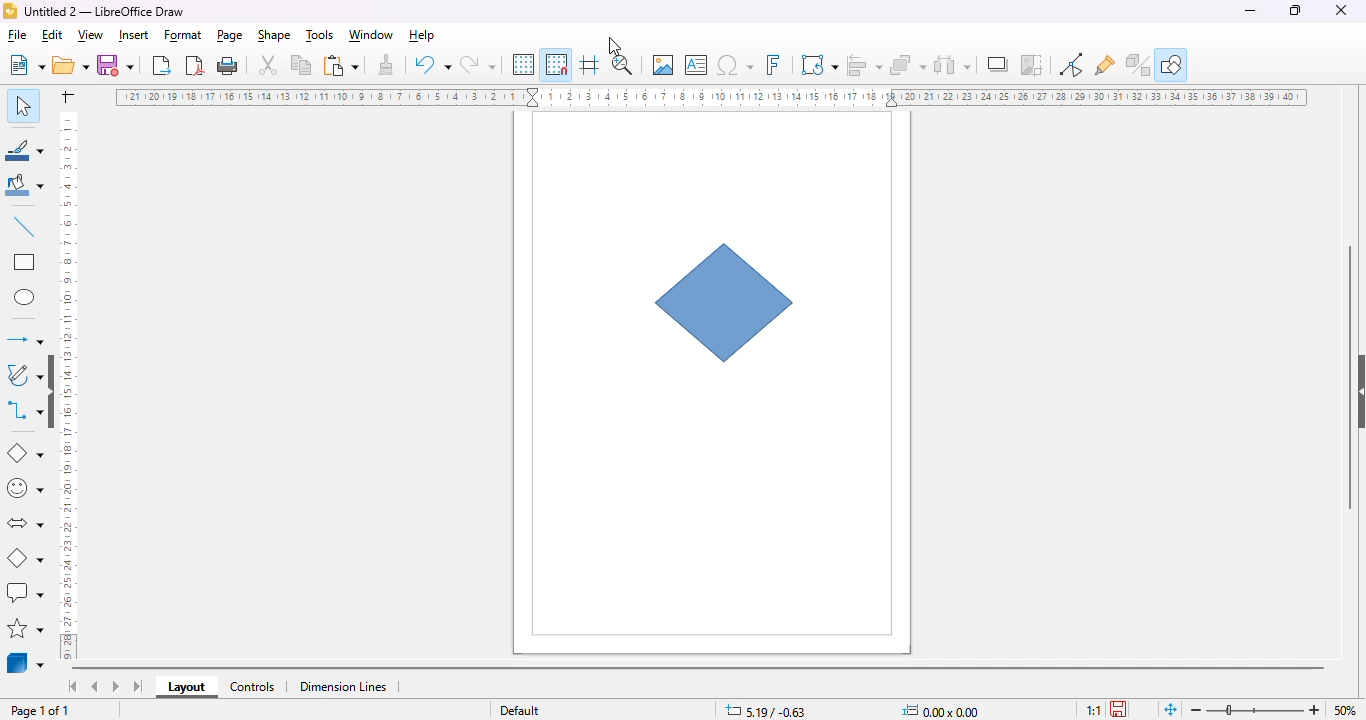  Describe the element at coordinates (432, 65) in the screenshot. I see `undo` at that location.